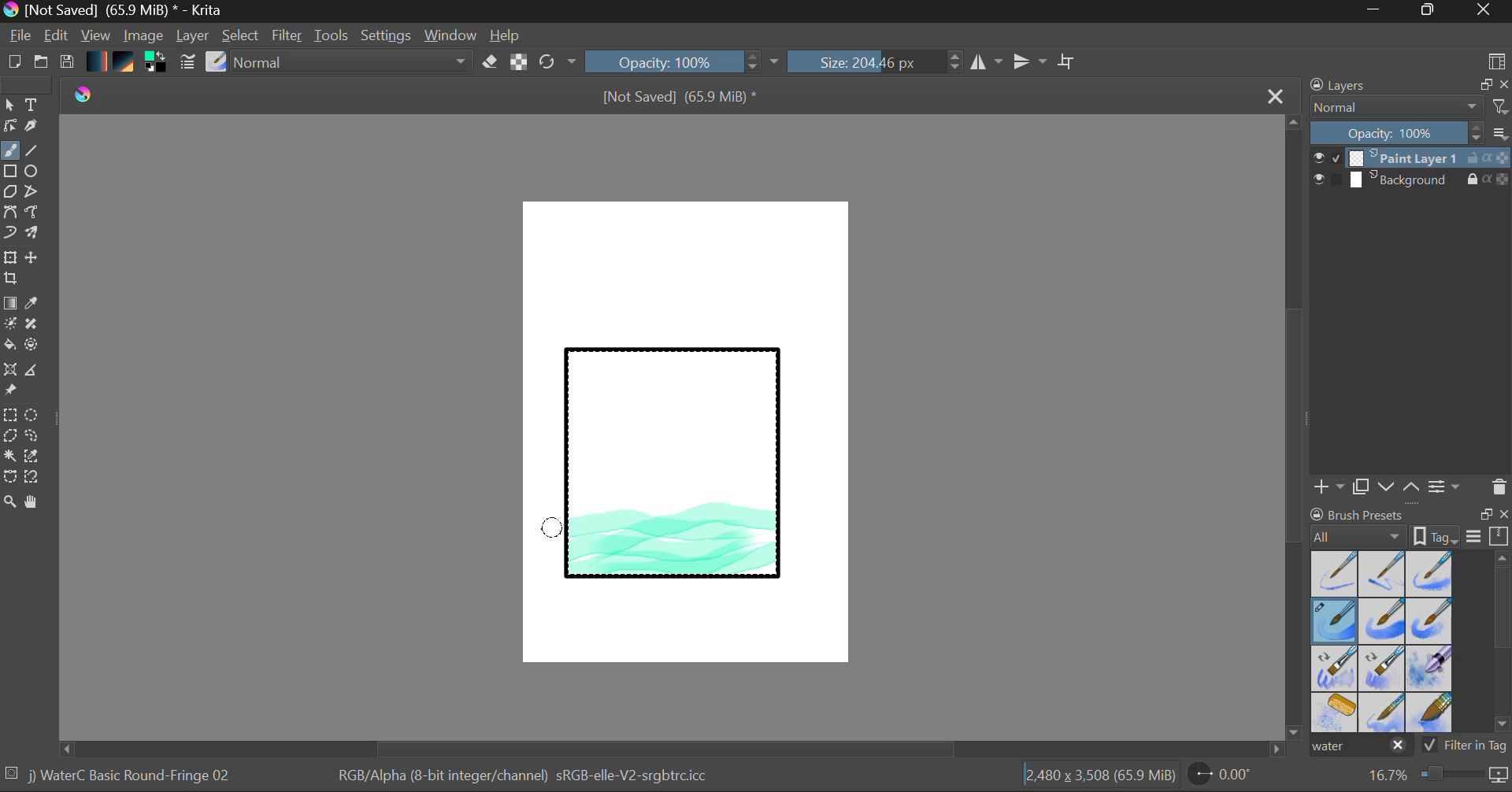 This screenshot has height=792, width=1512. I want to click on Smart Assistant, so click(9, 372).